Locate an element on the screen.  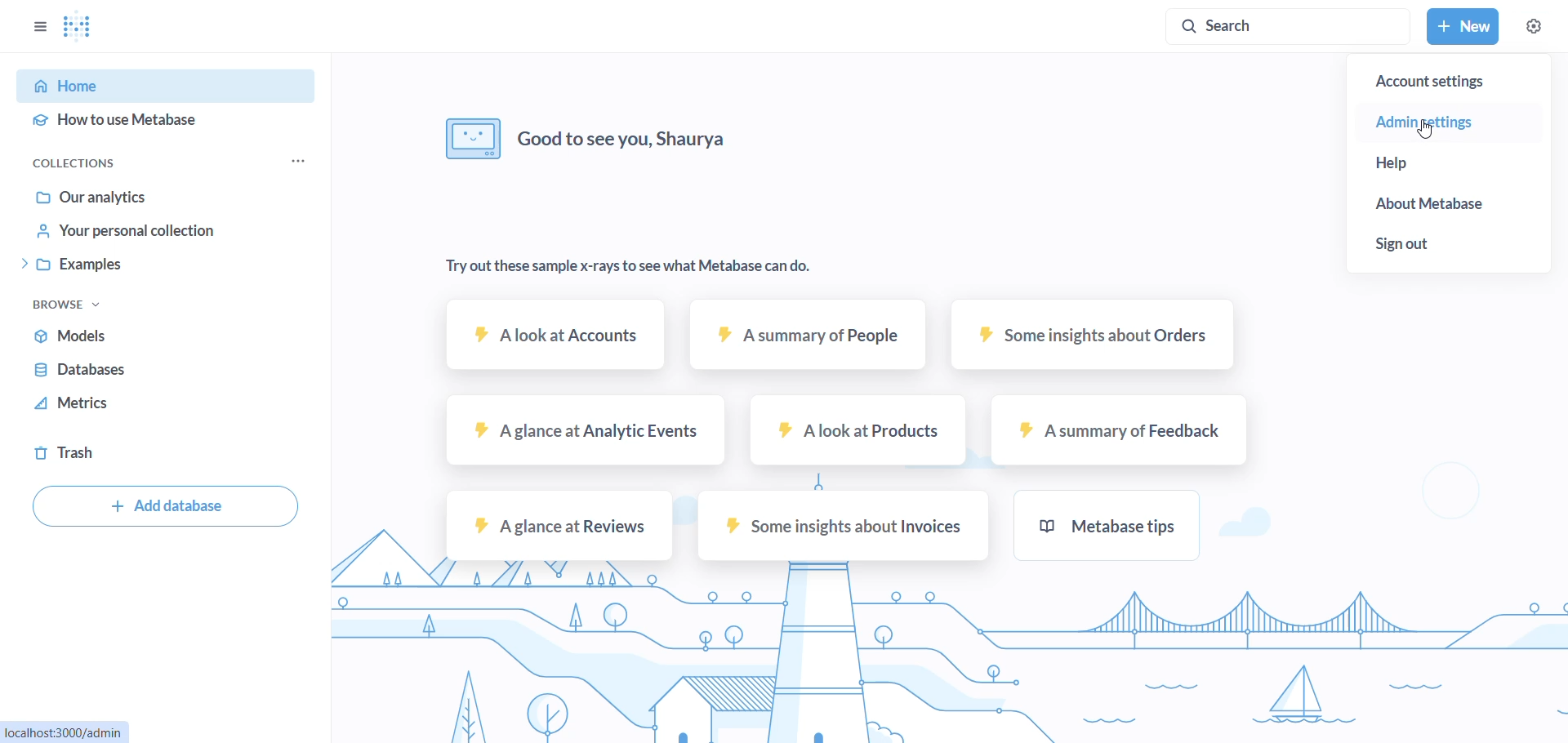
trash is located at coordinates (77, 452).